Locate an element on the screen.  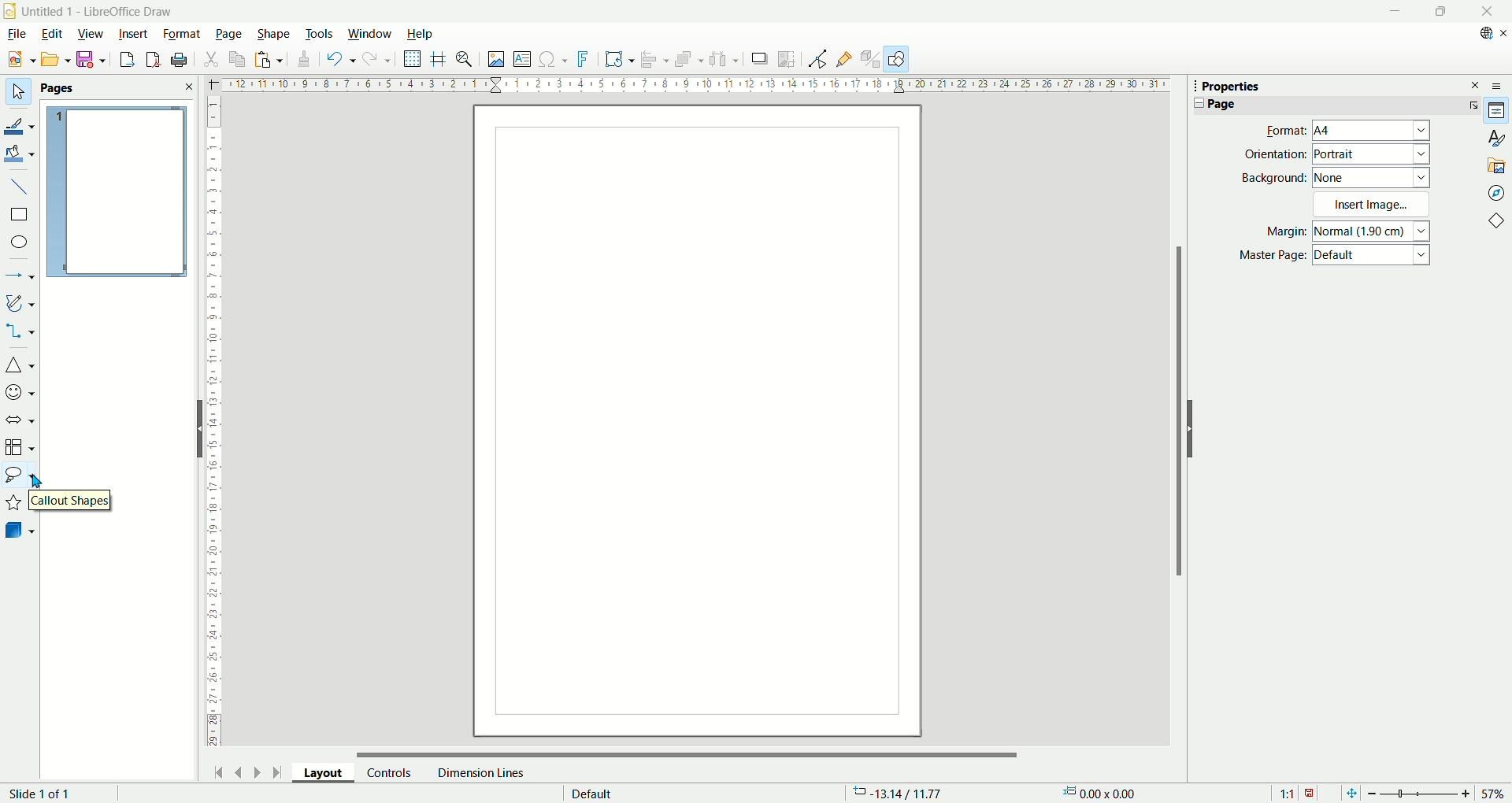
previous page is located at coordinates (240, 771).